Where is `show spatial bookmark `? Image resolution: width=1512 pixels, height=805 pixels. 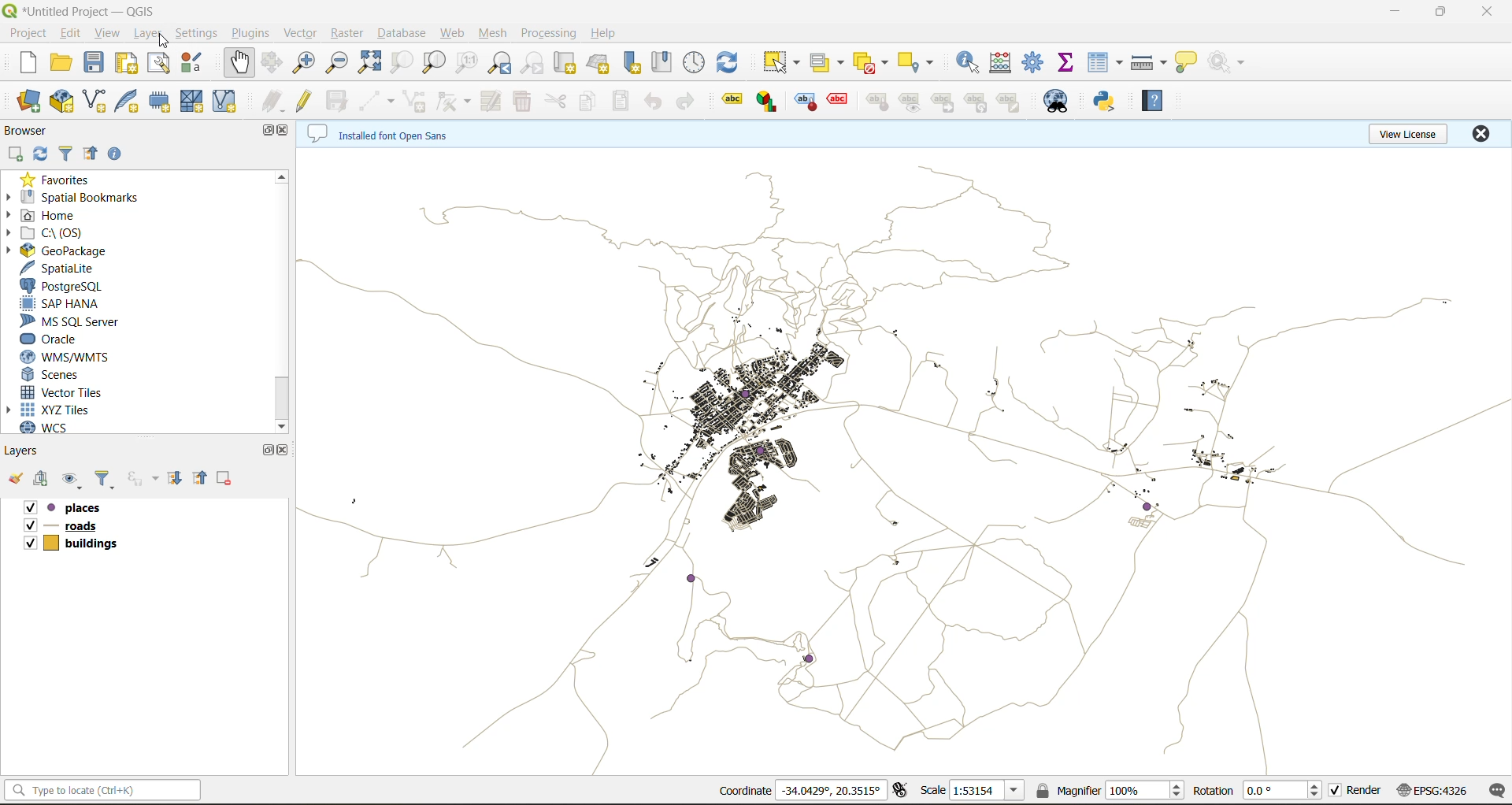 show spatial bookmark  is located at coordinates (662, 63).